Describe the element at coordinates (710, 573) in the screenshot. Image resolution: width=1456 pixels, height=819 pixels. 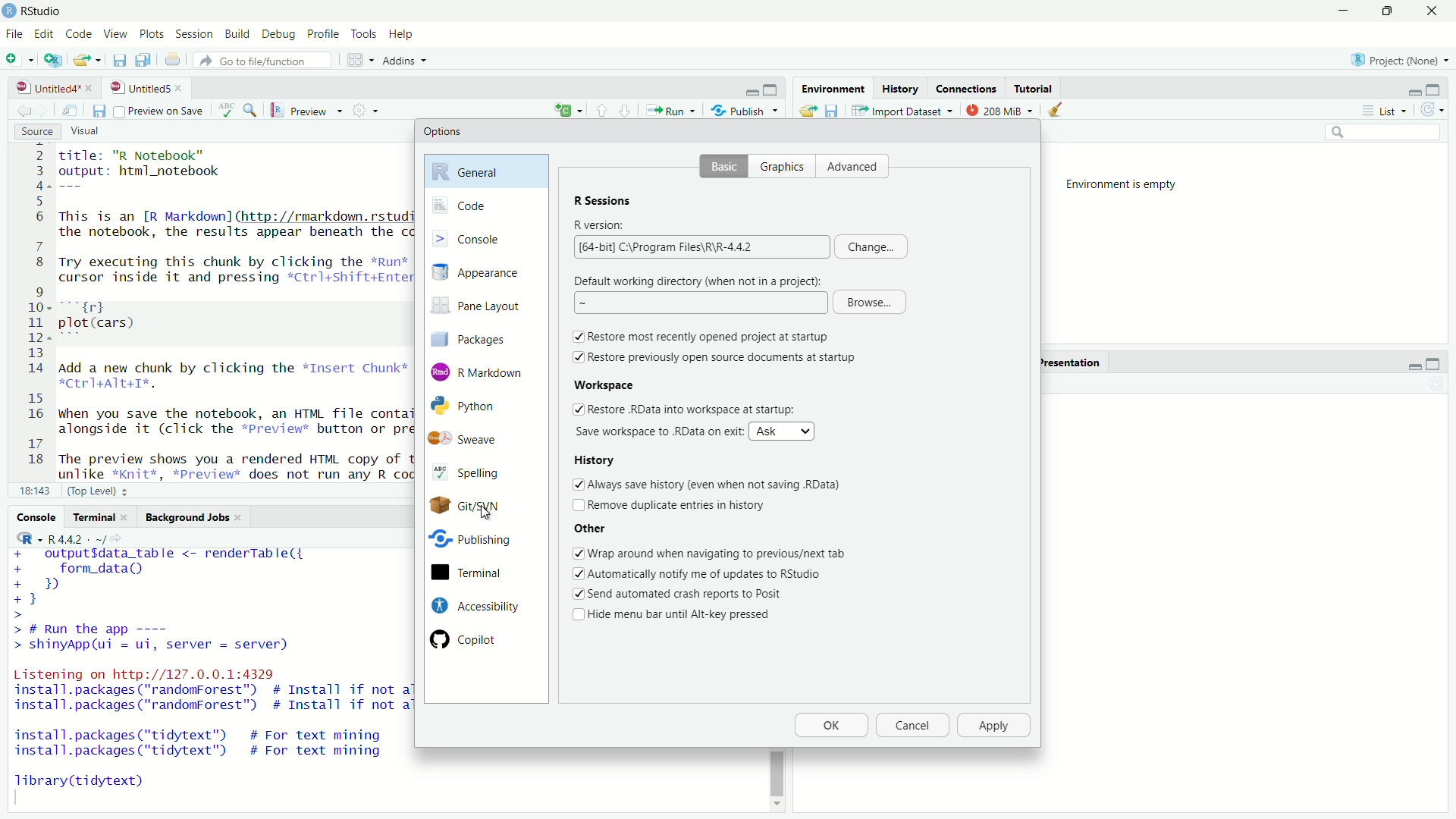
I see `Automatically notify me of updates to RStudio` at that location.